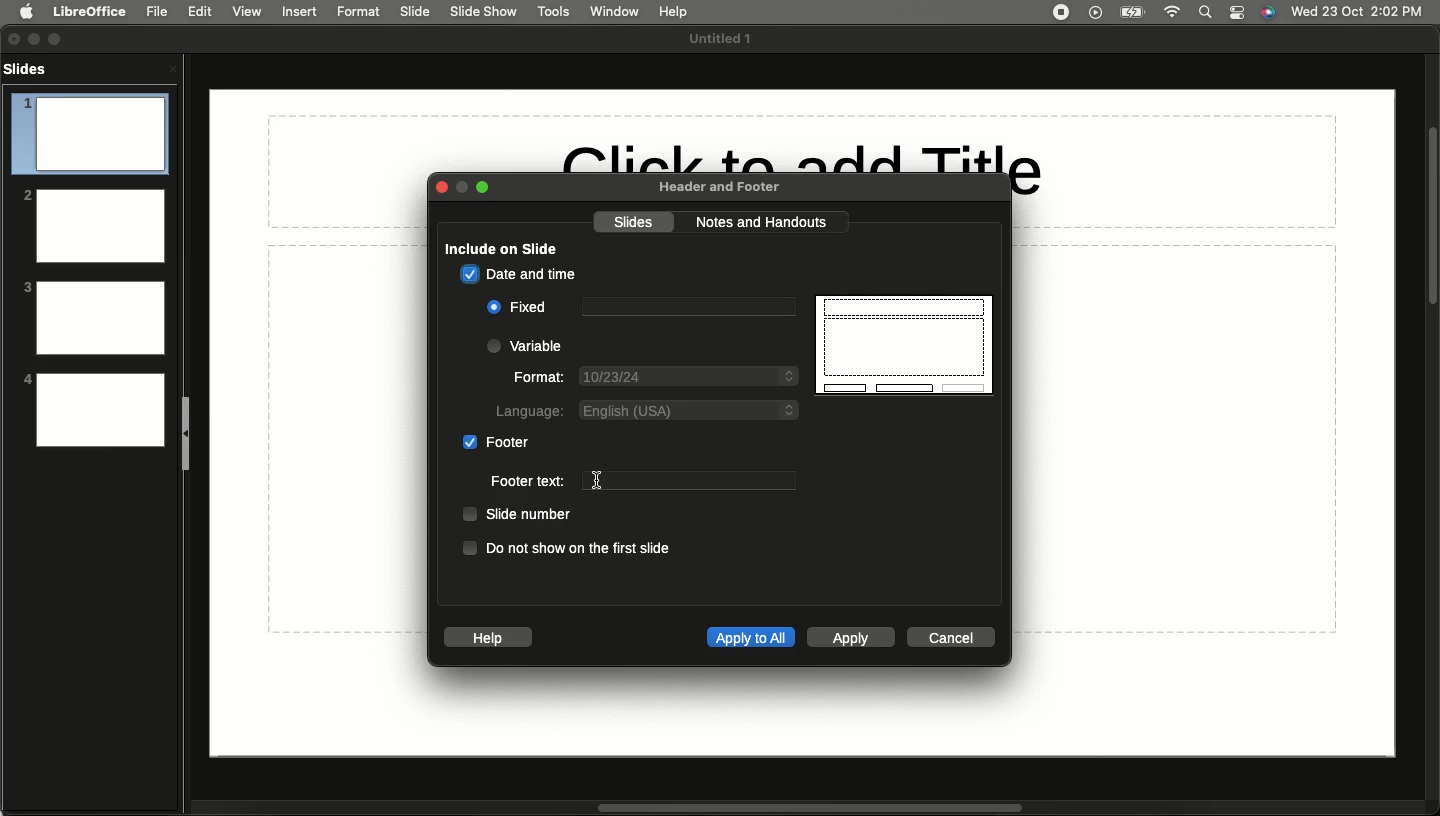 This screenshot has width=1440, height=816. What do you see at coordinates (1357, 10) in the screenshot?
I see `Date/time` at bounding box center [1357, 10].